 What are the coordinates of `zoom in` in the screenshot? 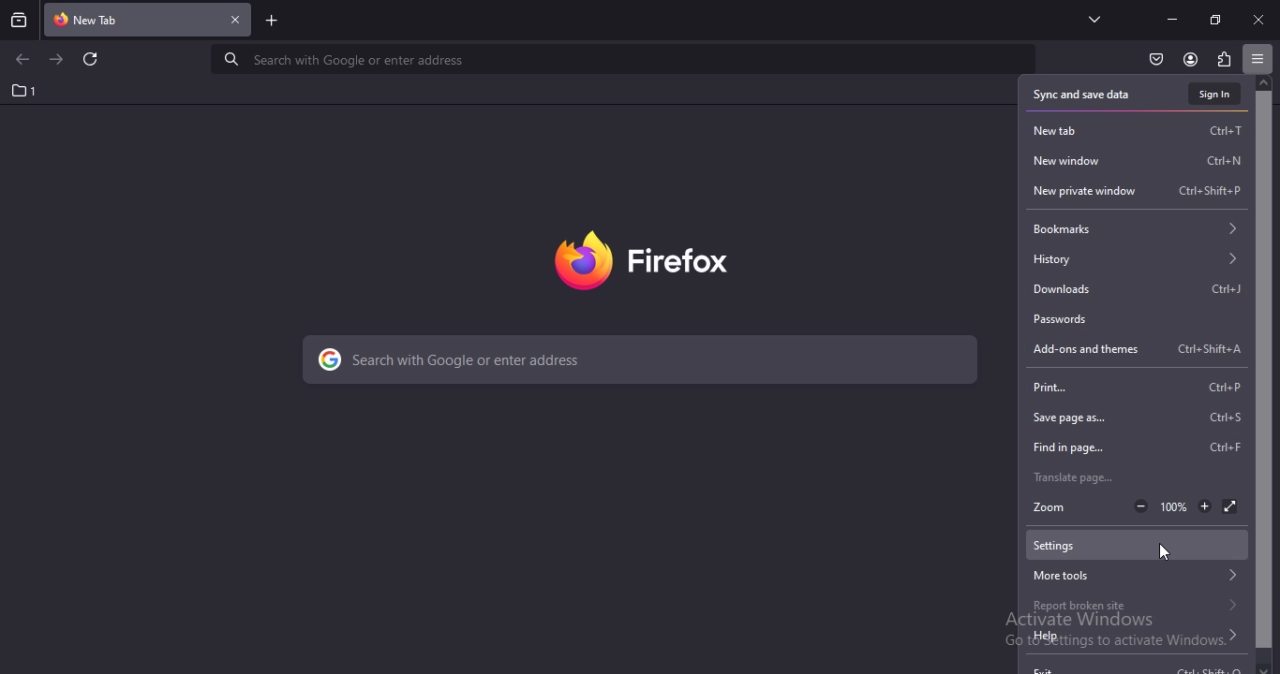 It's located at (1202, 506).